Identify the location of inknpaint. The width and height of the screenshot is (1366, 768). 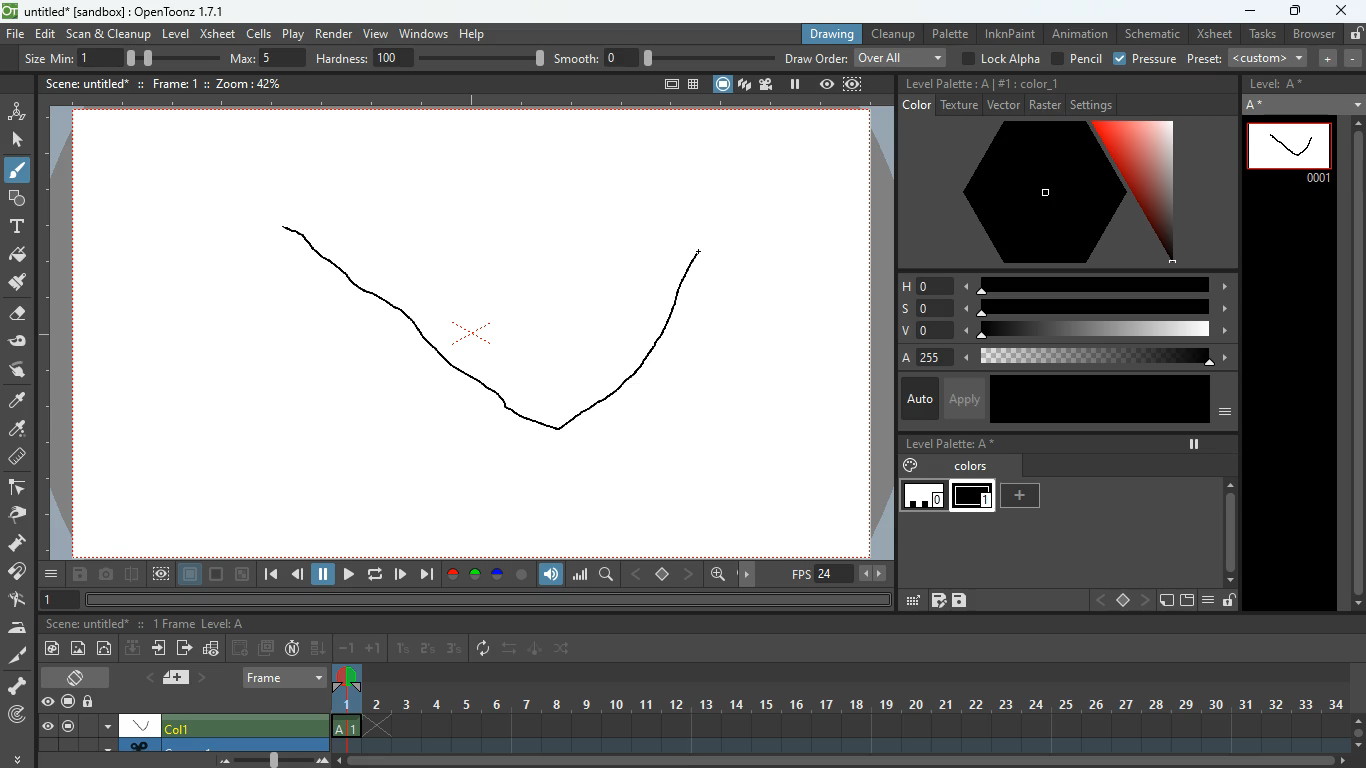
(1010, 33).